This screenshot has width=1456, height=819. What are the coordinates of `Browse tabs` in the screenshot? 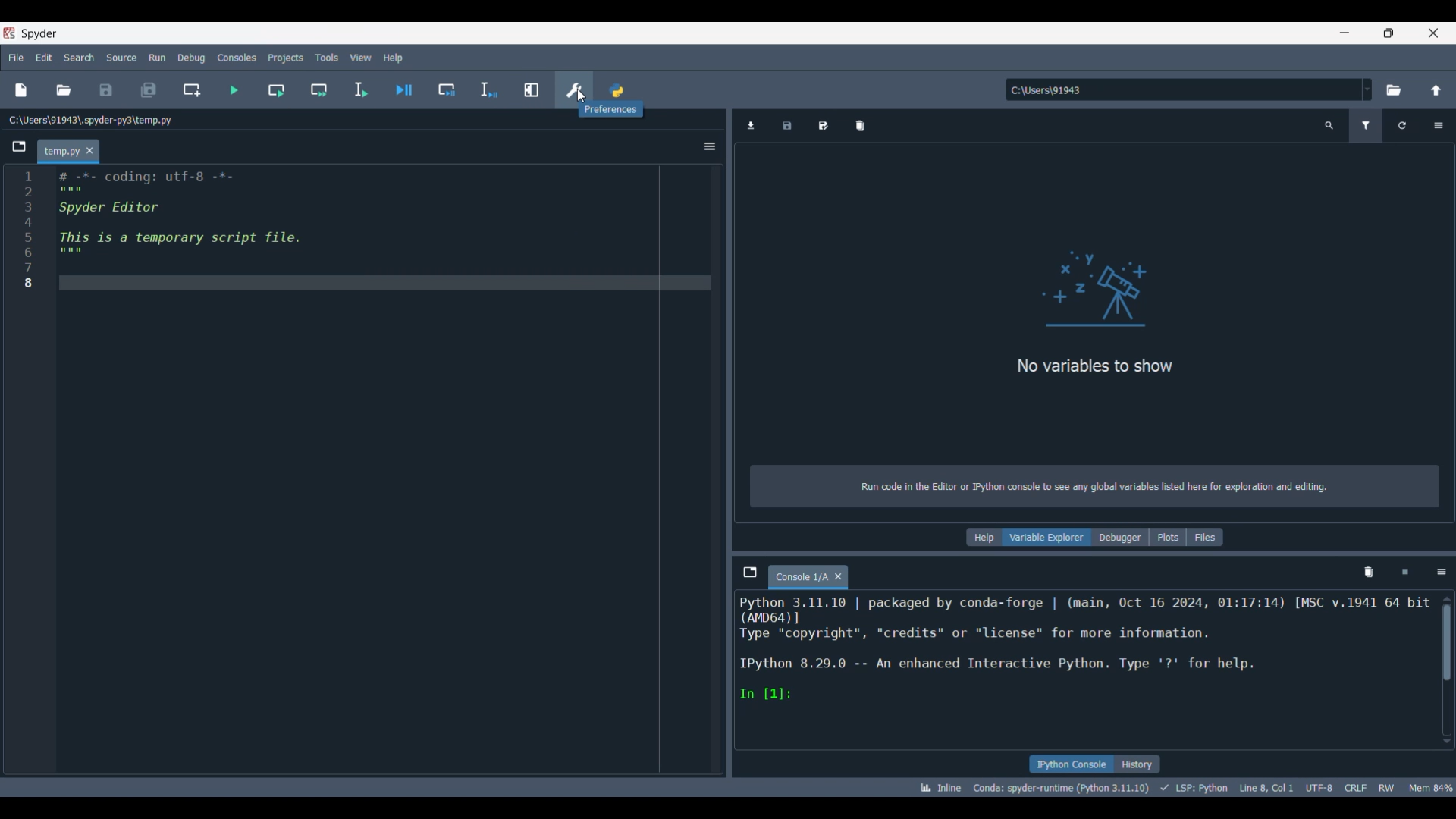 It's located at (19, 146).